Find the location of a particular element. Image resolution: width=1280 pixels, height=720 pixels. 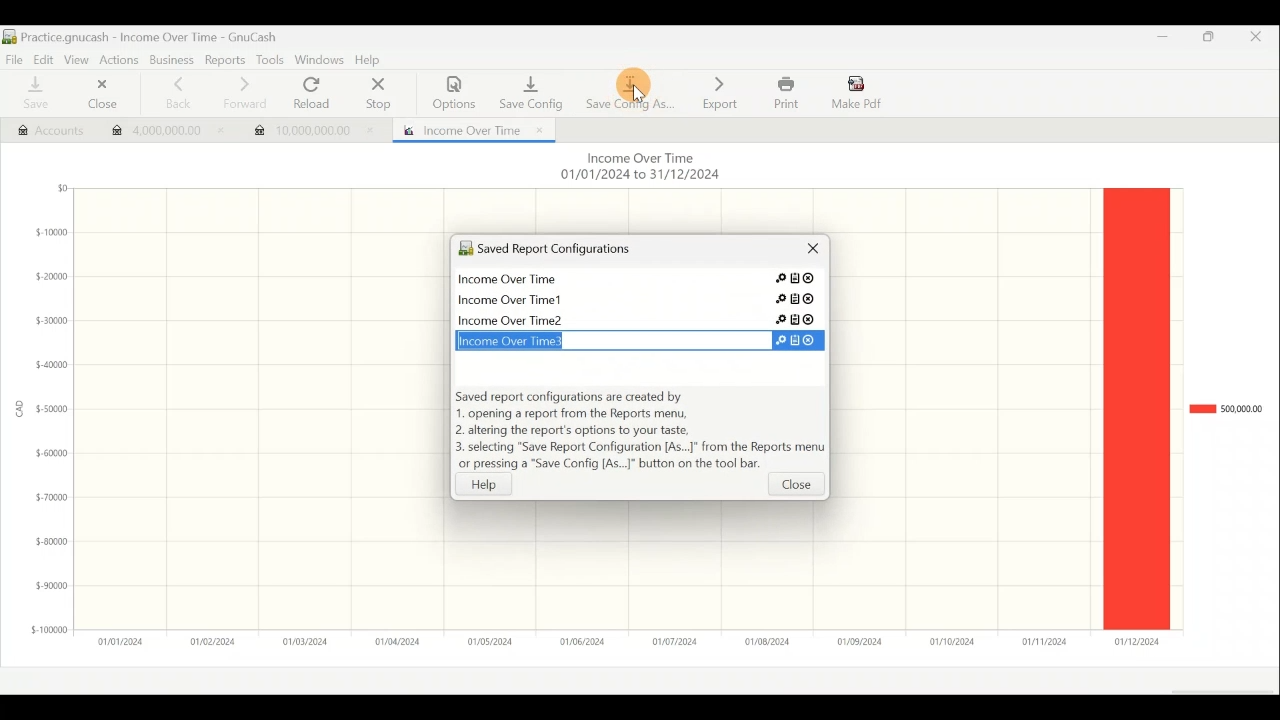

Close is located at coordinates (98, 96).